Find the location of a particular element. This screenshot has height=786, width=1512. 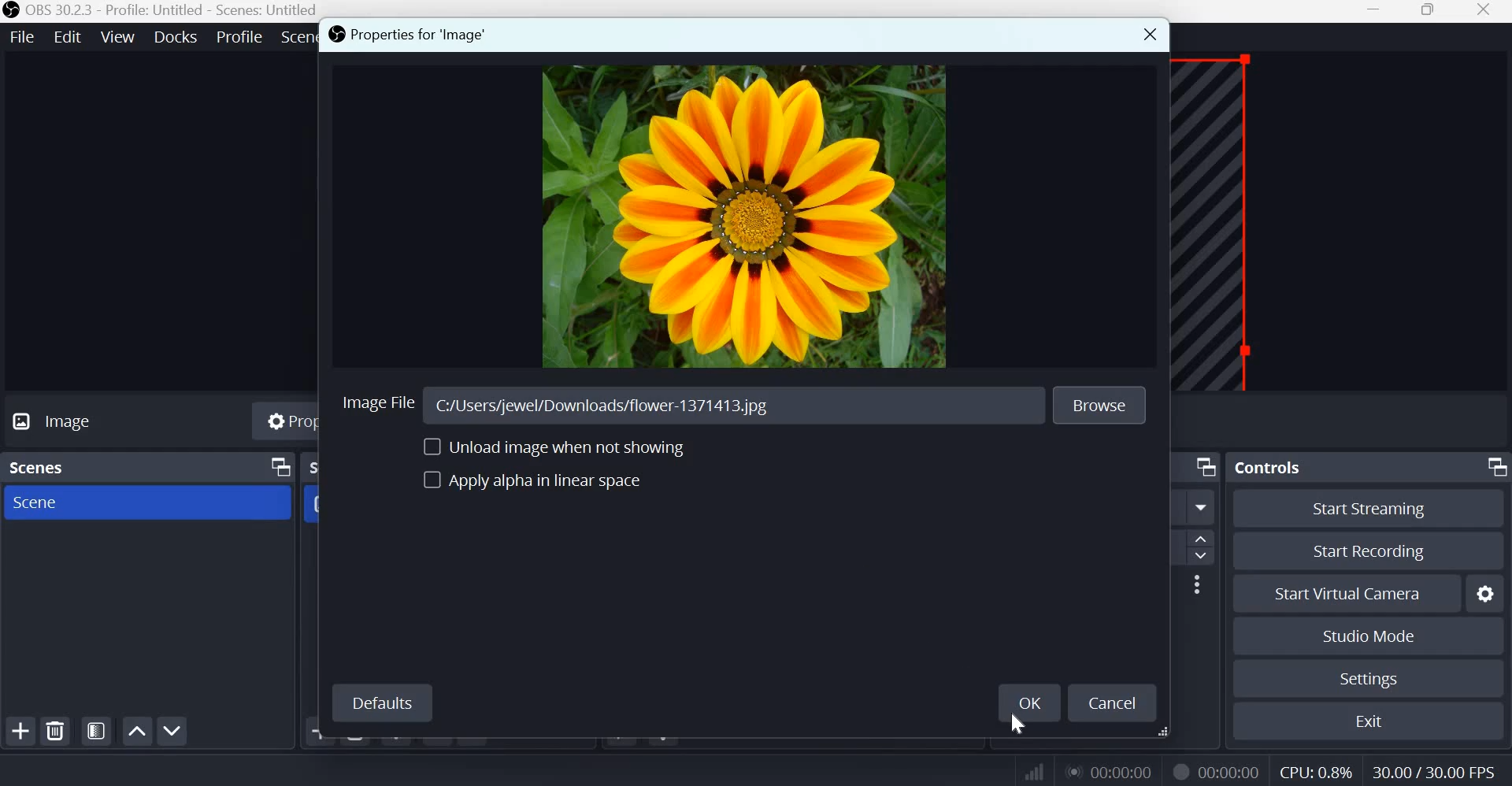

Windows size toggle is located at coordinates (1428, 11).